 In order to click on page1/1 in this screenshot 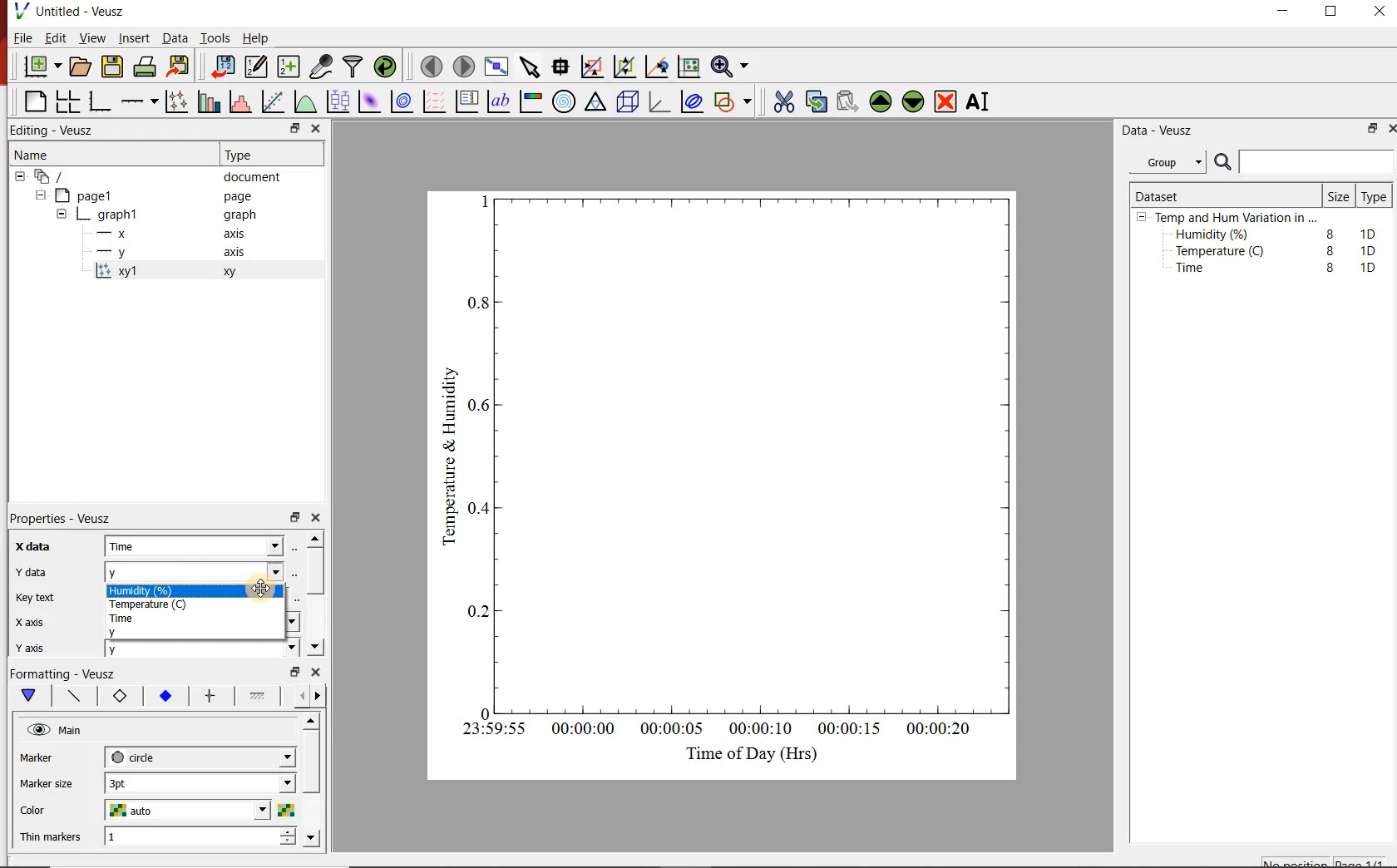, I will do `click(1365, 861)`.